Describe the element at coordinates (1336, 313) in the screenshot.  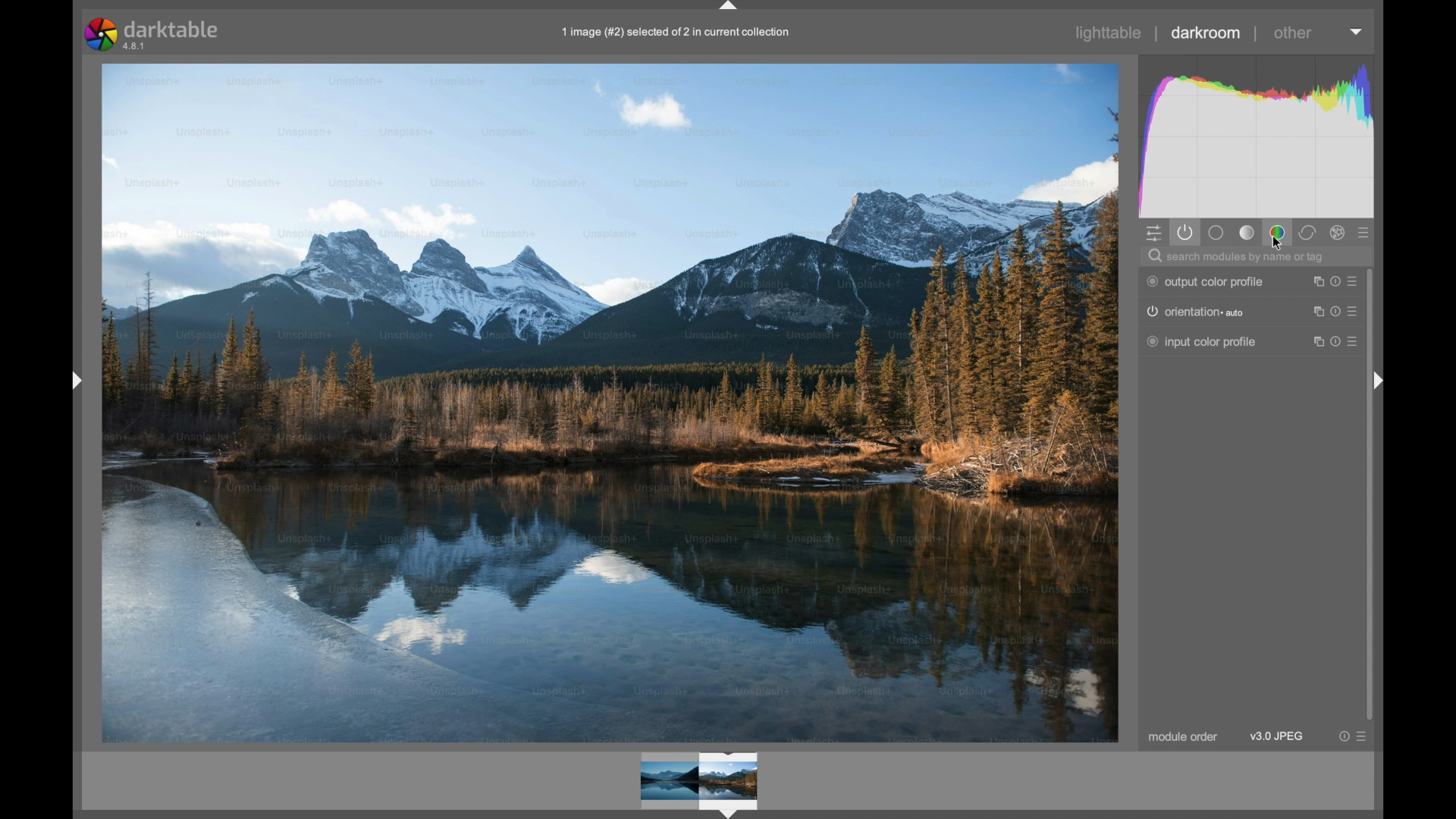
I see `reset parameters` at that location.